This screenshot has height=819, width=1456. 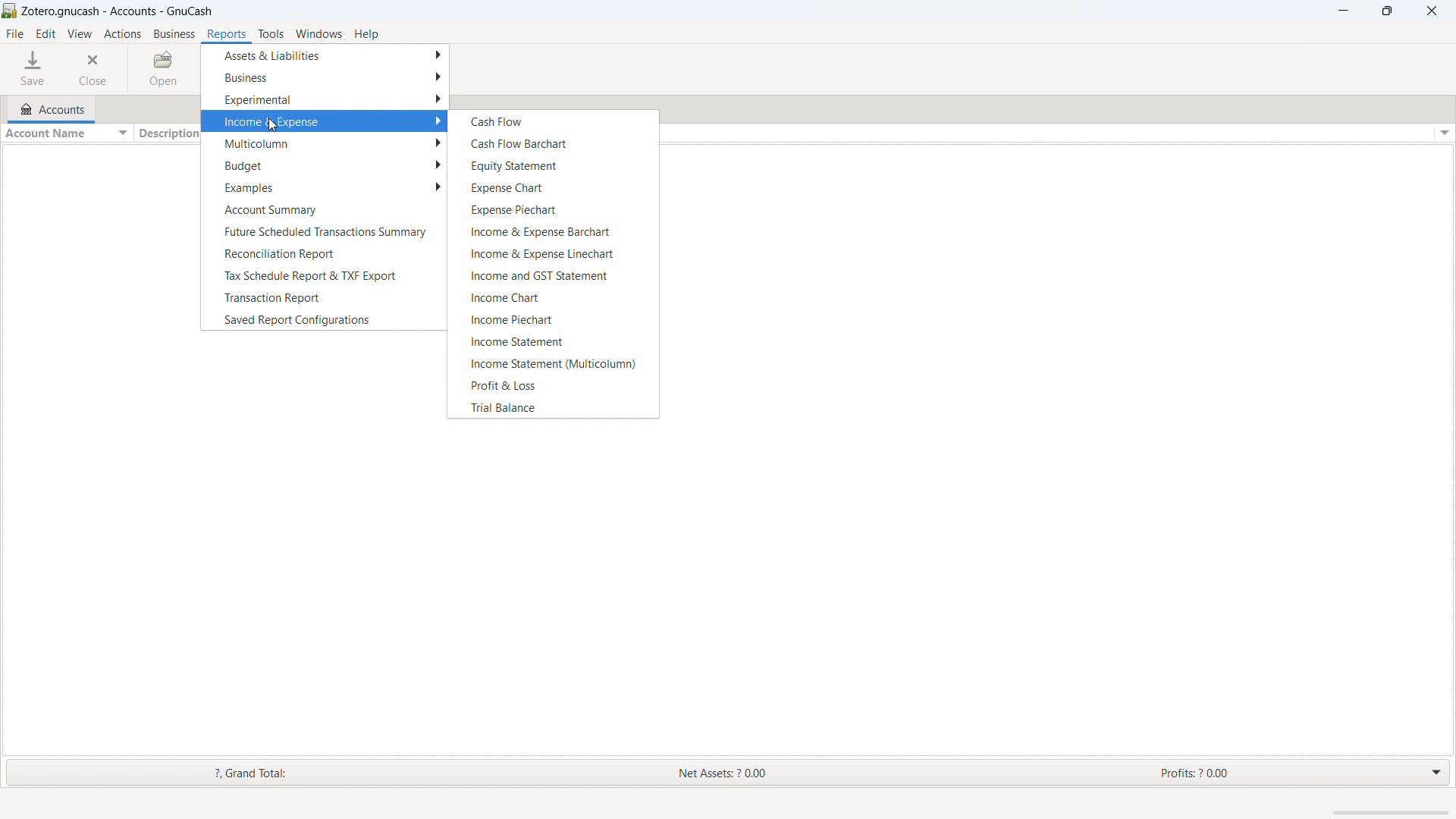 I want to click on accounts tab, so click(x=50, y=108).